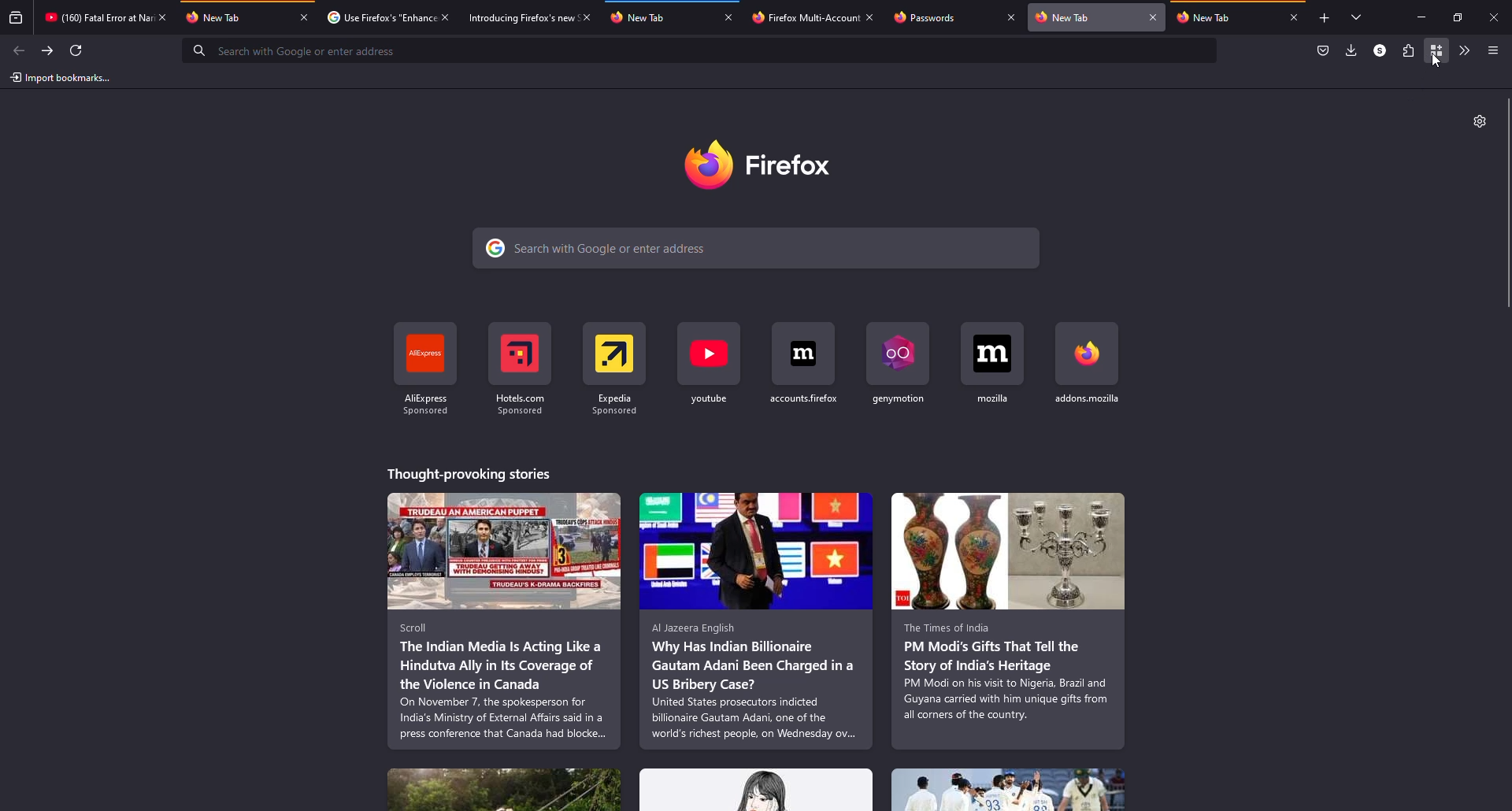  What do you see at coordinates (48, 49) in the screenshot?
I see `forward` at bounding box center [48, 49].